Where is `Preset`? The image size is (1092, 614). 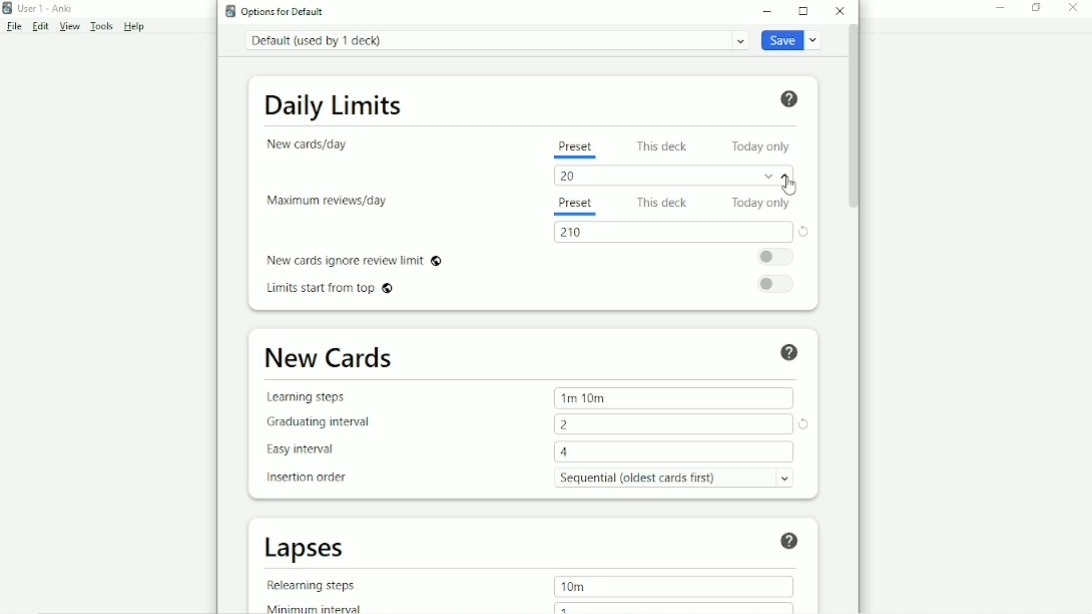 Preset is located at coordinates (578, 150).